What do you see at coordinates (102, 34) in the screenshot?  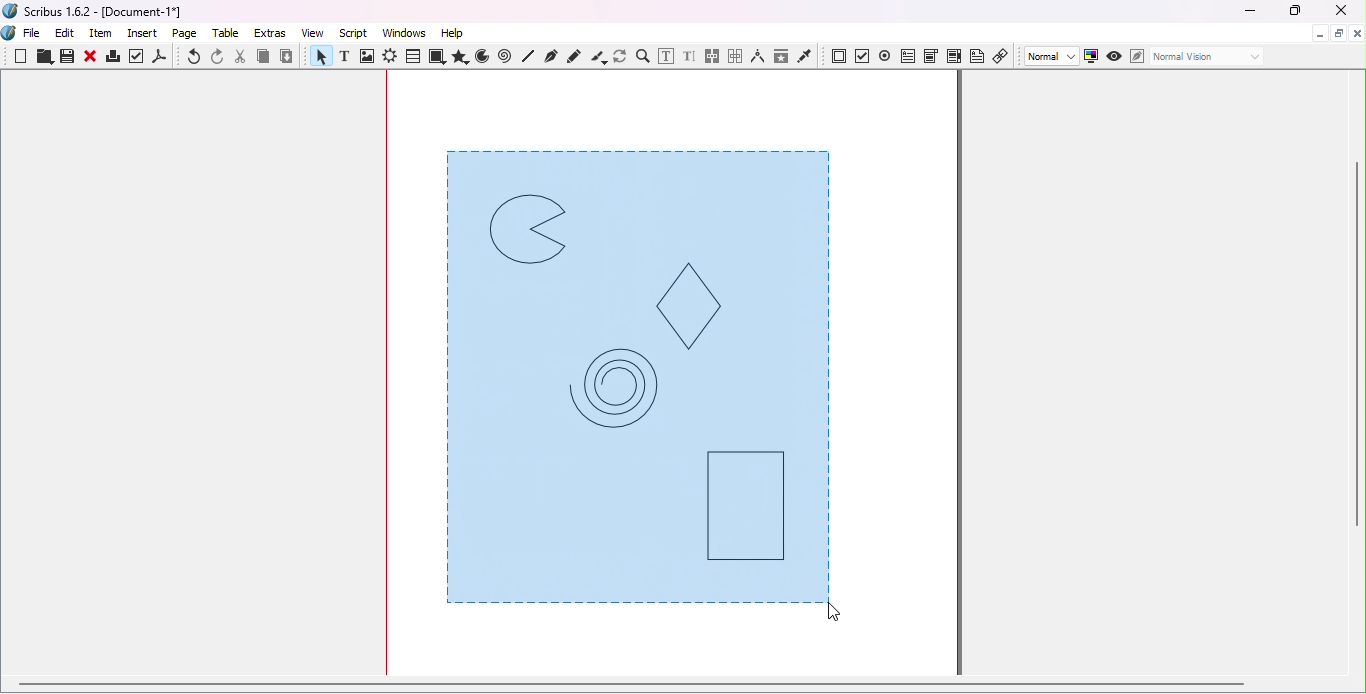 I see `Item` at bounding box center [102, 34].